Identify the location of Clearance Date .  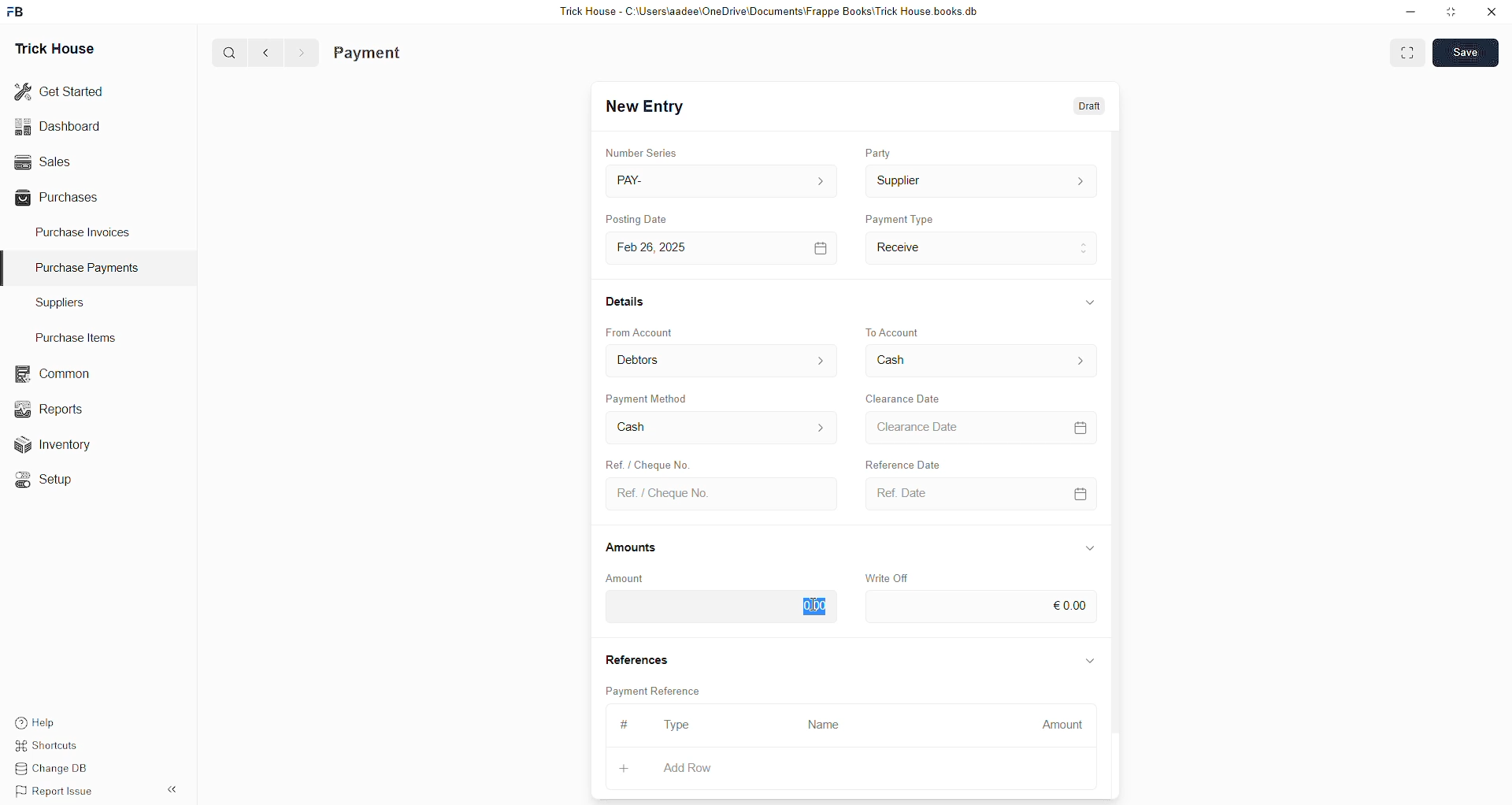
(978, 426).